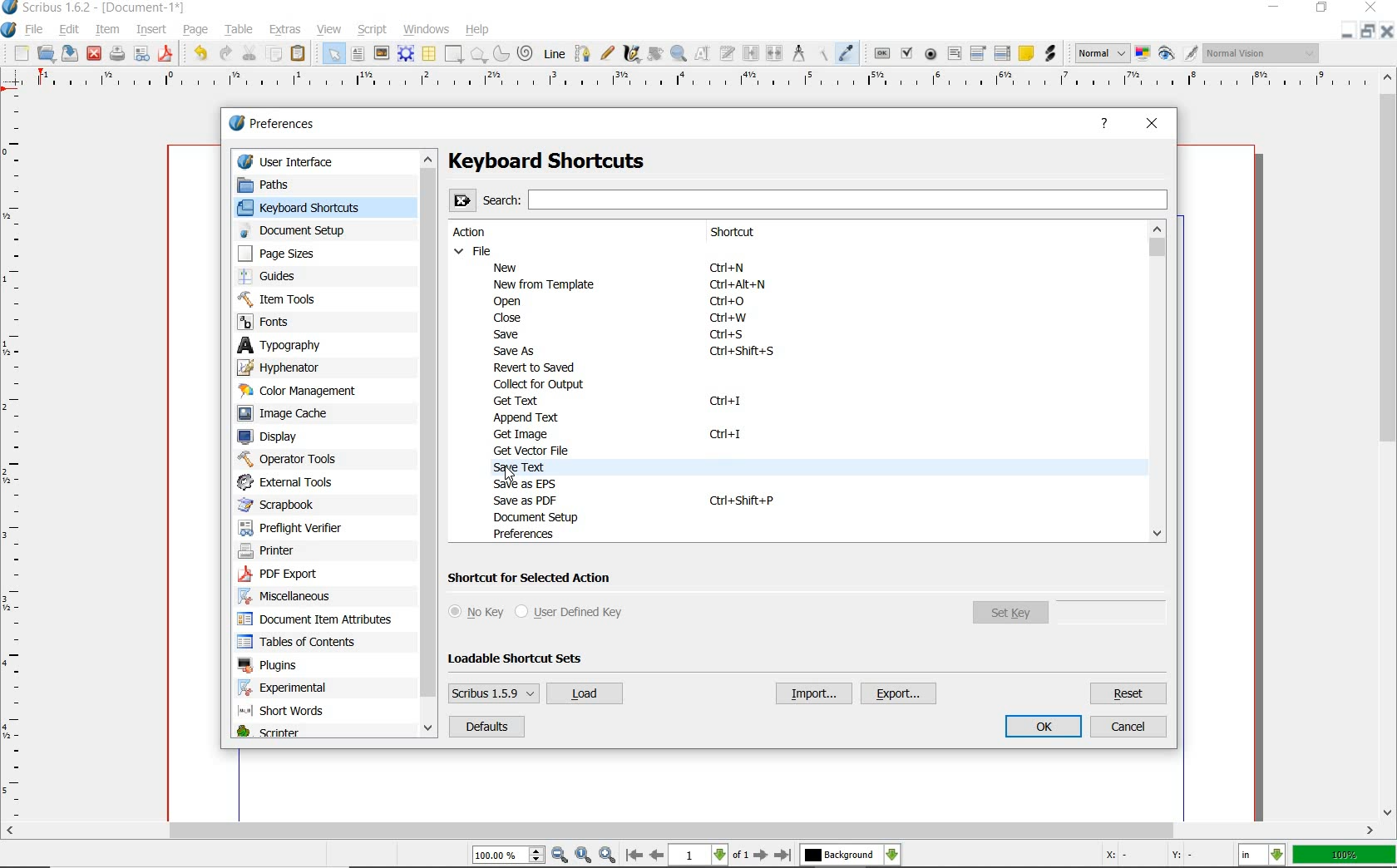 This screenshot has height=868, width=1397. I want to click on tables of contents, so click(304, 643).